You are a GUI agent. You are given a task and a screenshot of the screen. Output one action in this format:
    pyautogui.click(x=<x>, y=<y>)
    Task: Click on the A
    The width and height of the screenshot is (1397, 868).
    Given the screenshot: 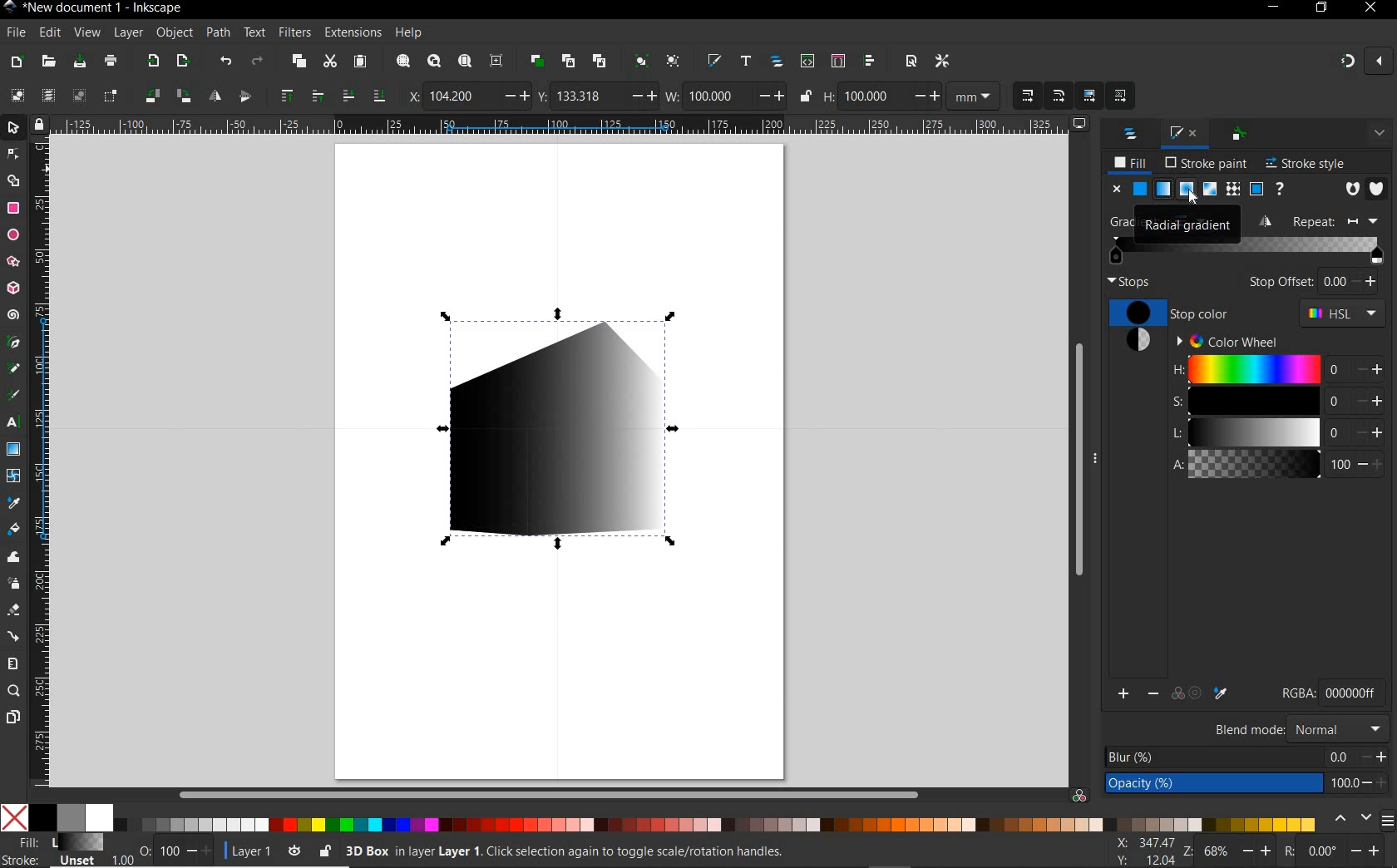 What is the action you would take?
    pyautogui.click(x=1255, y=464)
    